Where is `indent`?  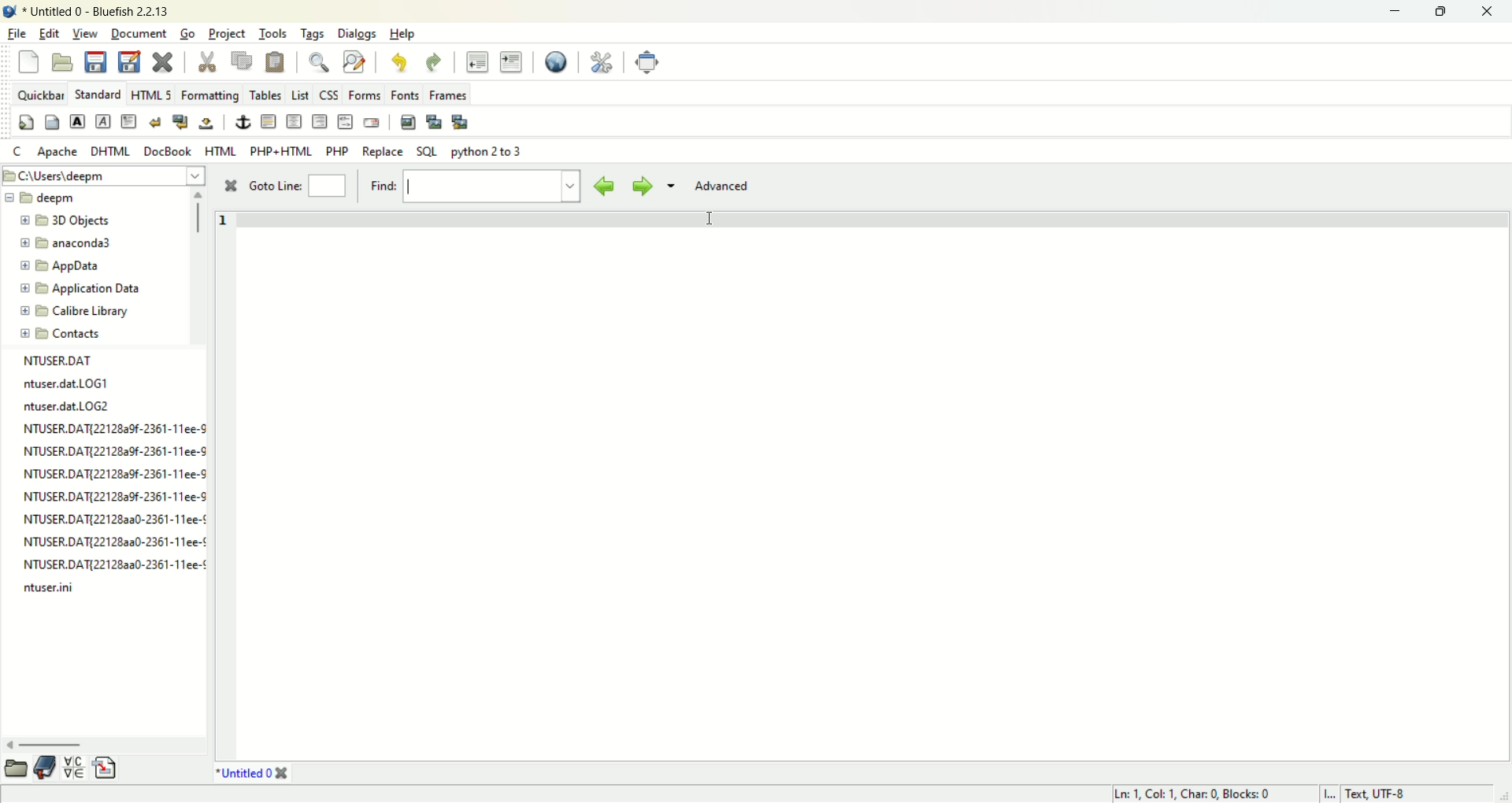
indent is located at coordinates (511, 61).